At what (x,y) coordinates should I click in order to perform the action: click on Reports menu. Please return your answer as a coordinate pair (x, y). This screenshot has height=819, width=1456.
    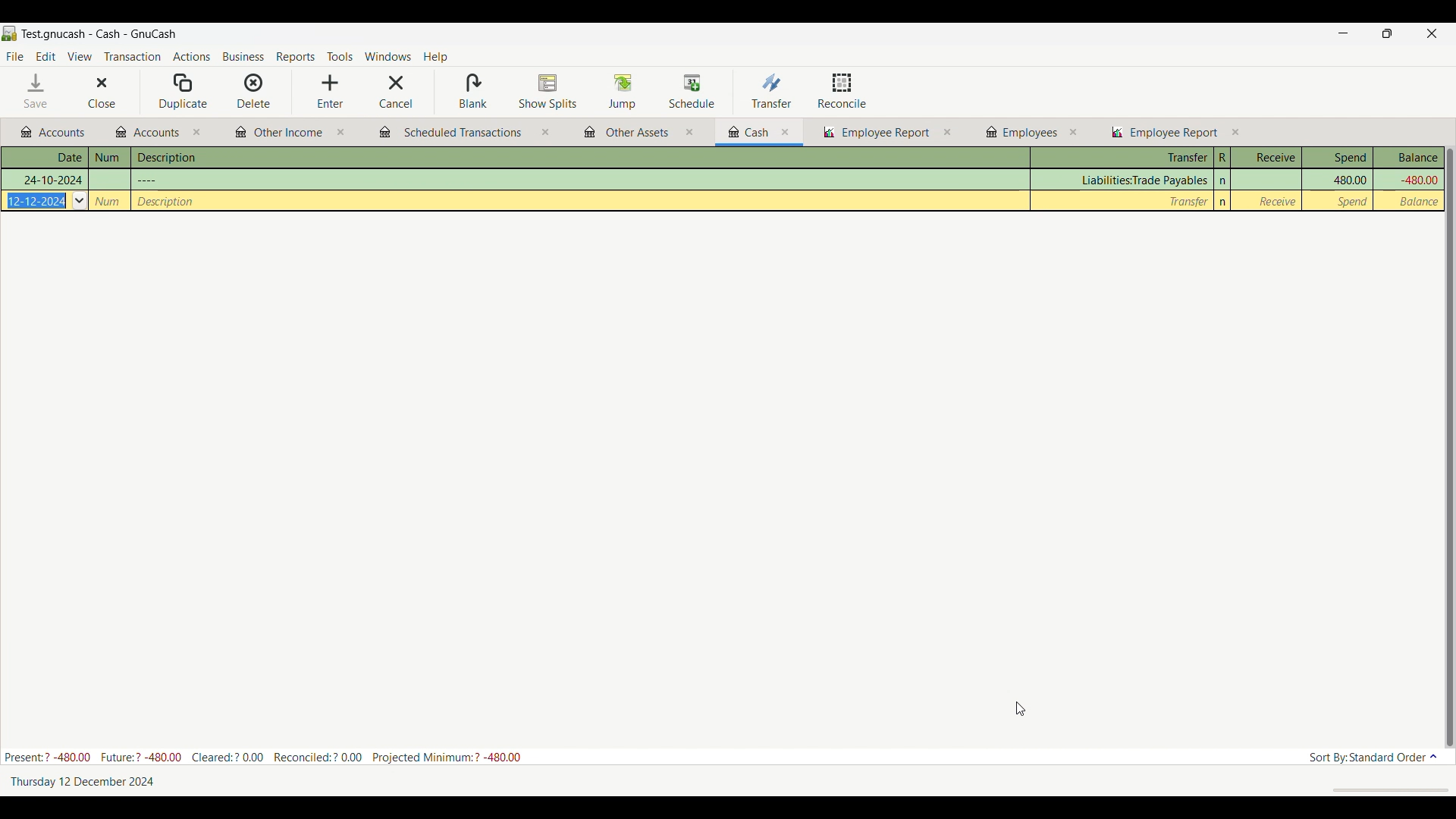
    Looking at the image, I should click on (296, 57).